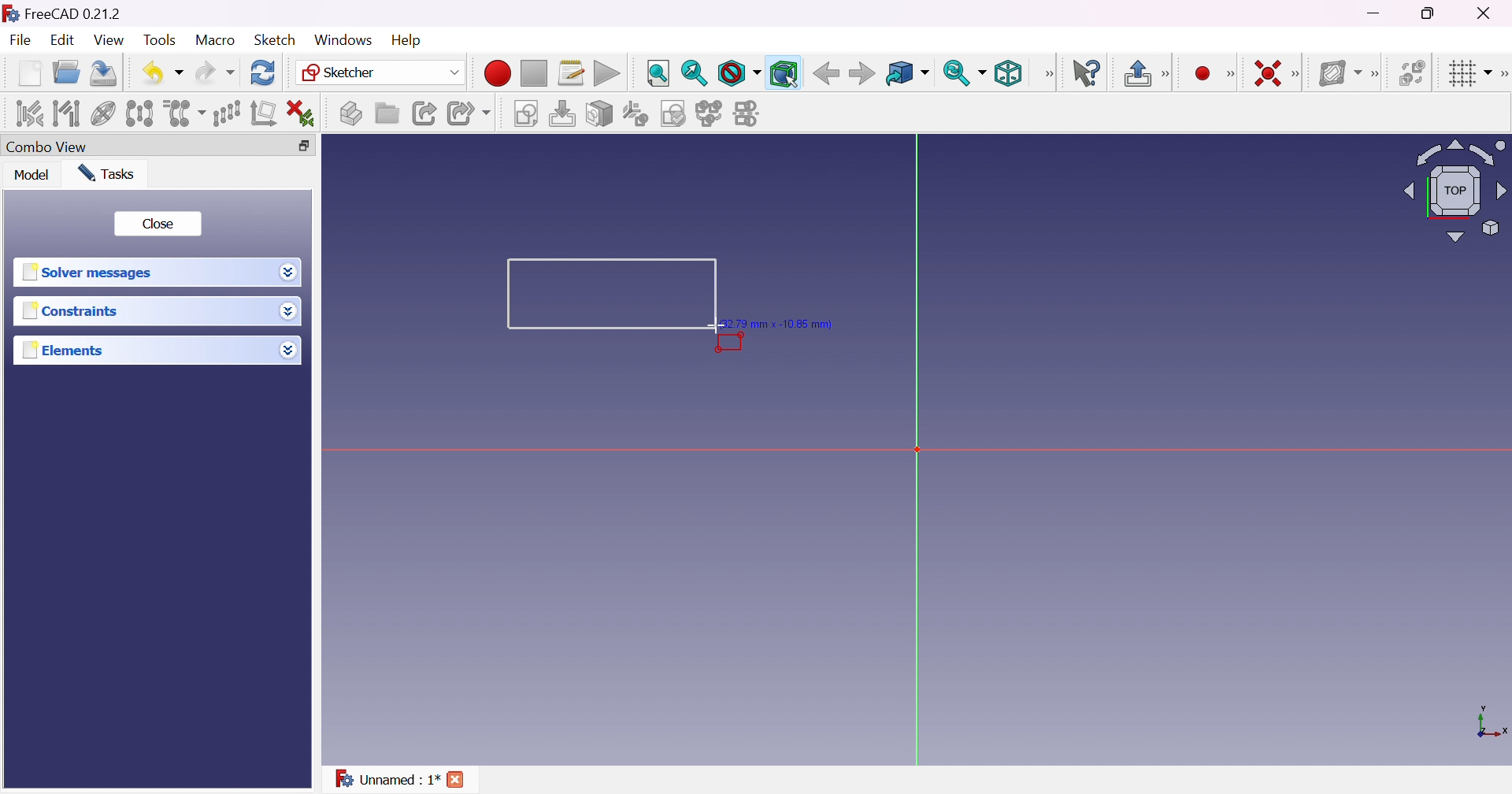 The width and height of the screenshot is (1512, 794). Describe the element at coordinates (350, 112) in the screenshot. I see `Create part` at that location.